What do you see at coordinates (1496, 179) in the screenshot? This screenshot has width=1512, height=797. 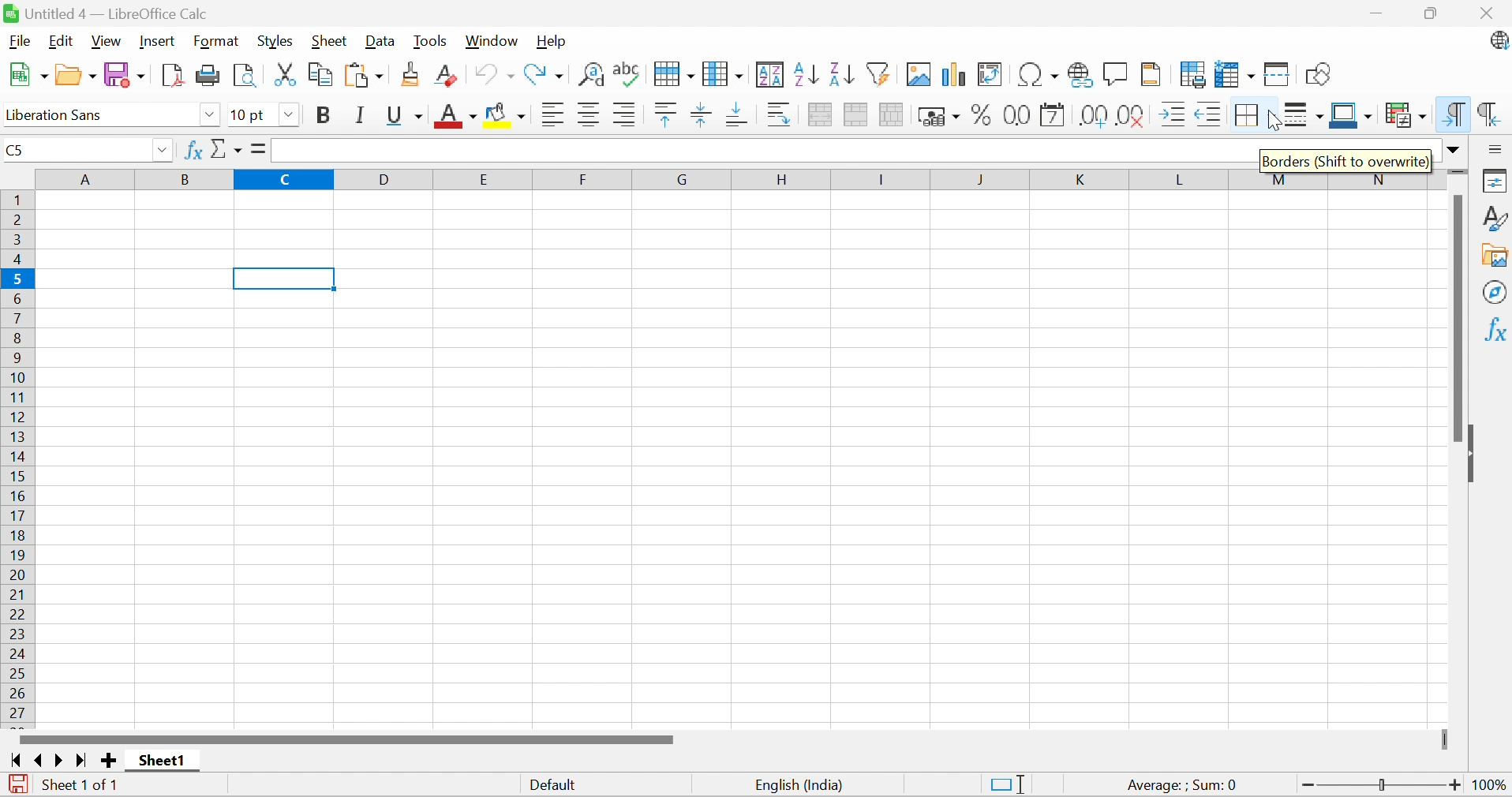 I see `Properties` at bounding box center [1496, 179].